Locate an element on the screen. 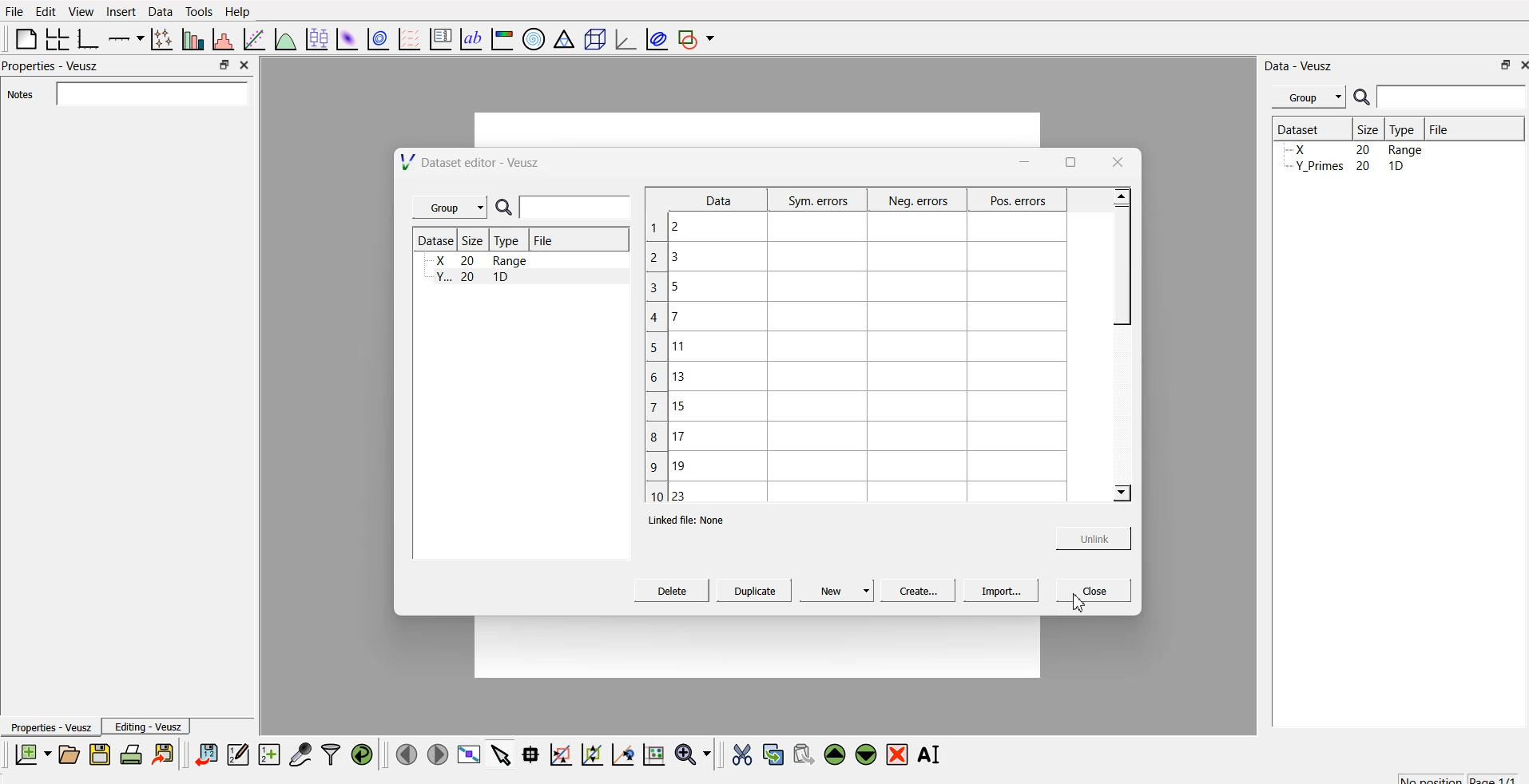 The width and height of the screenshot is (1529, 784). Duplicate is located at coordinates (753, 592).